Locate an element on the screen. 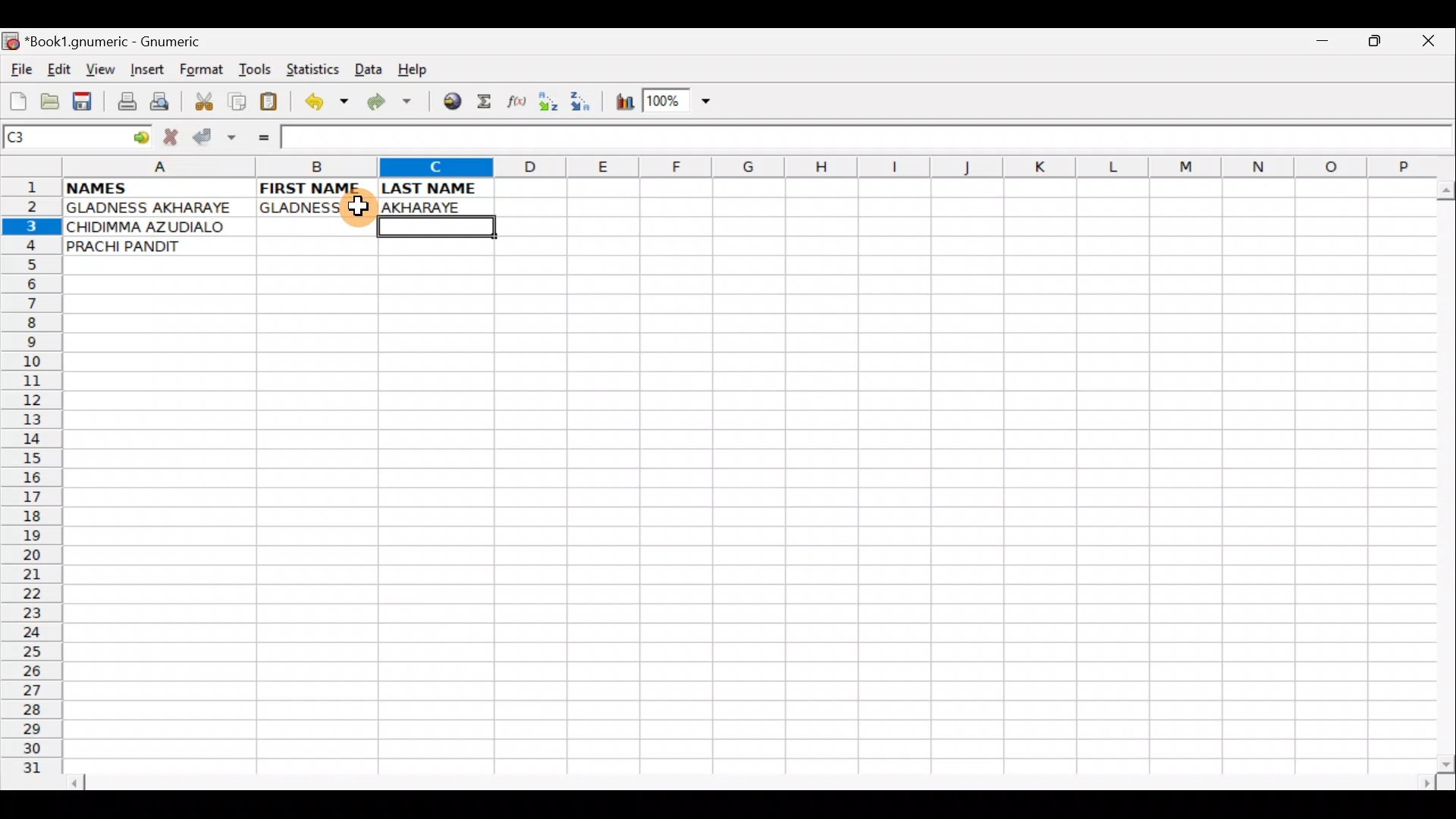 Image resolution: width=1456 pixels, height=819 pixels. *Book1.gnumeric - Gnumeric is located at coordinates (127, 42).